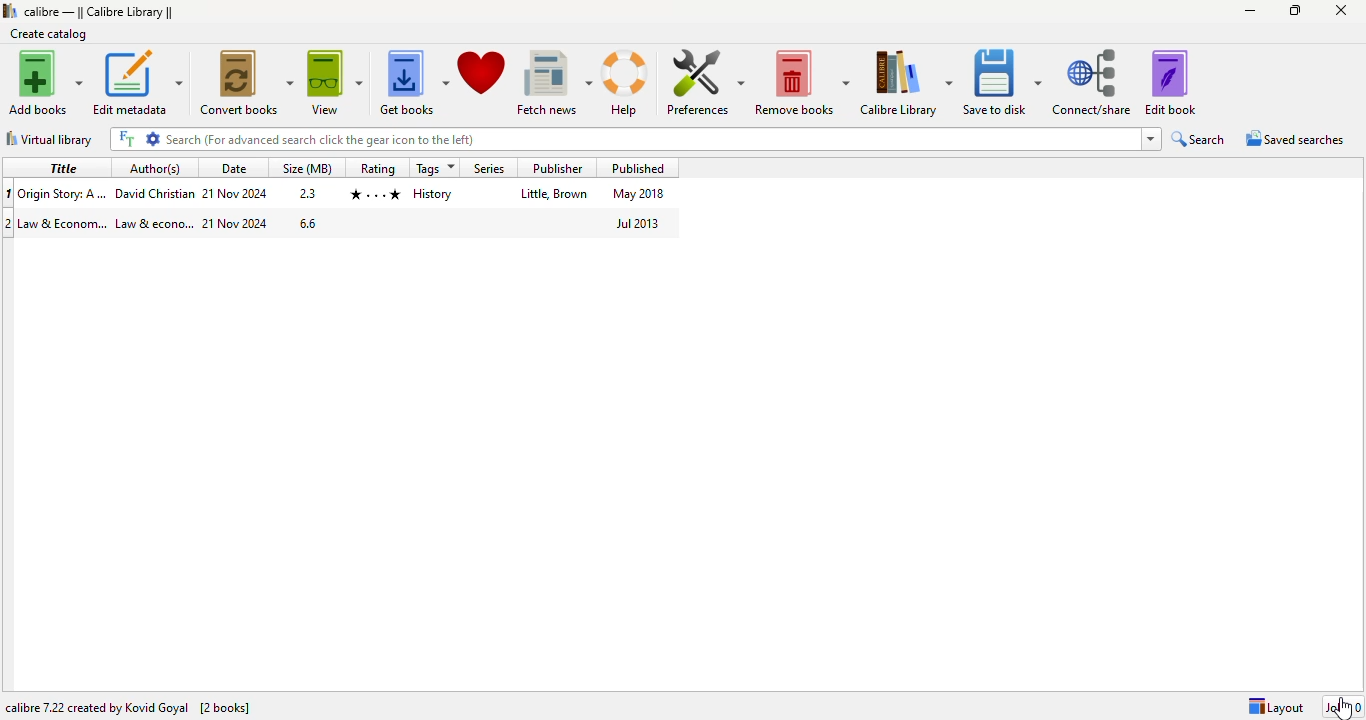  What do you see at coordinates (435, 168) in the screenshot?
I see `tags` at bounding box center [435, 168].